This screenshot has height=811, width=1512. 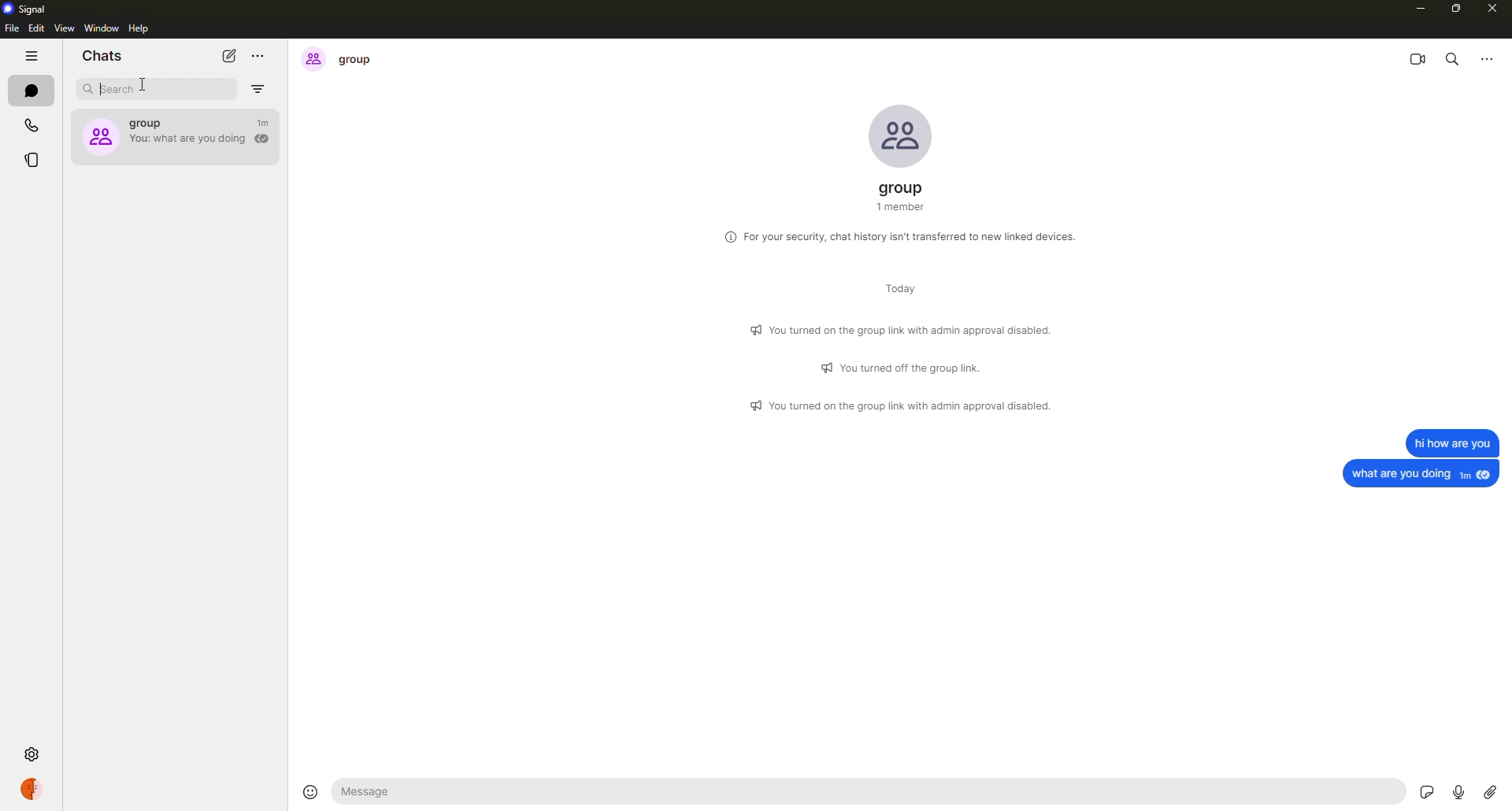 What do you see at coordinates (904, 328) in the screenshot?
I see `info` at bounding box center [904, 328].